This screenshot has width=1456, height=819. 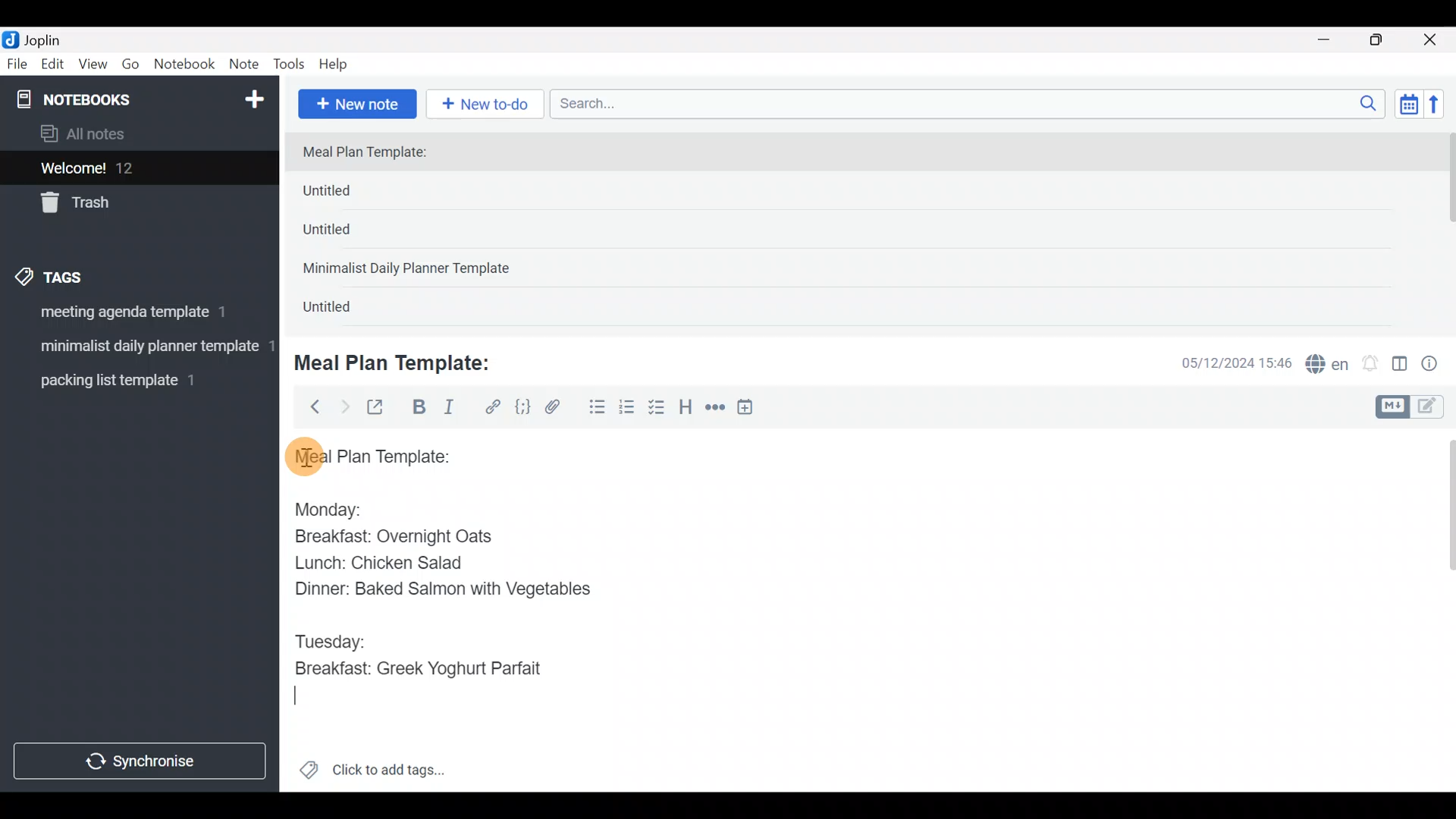 What do you see at coordinates (344, 310) in the screenshot?
I see `Untitled` at bounding box center [344, 310].